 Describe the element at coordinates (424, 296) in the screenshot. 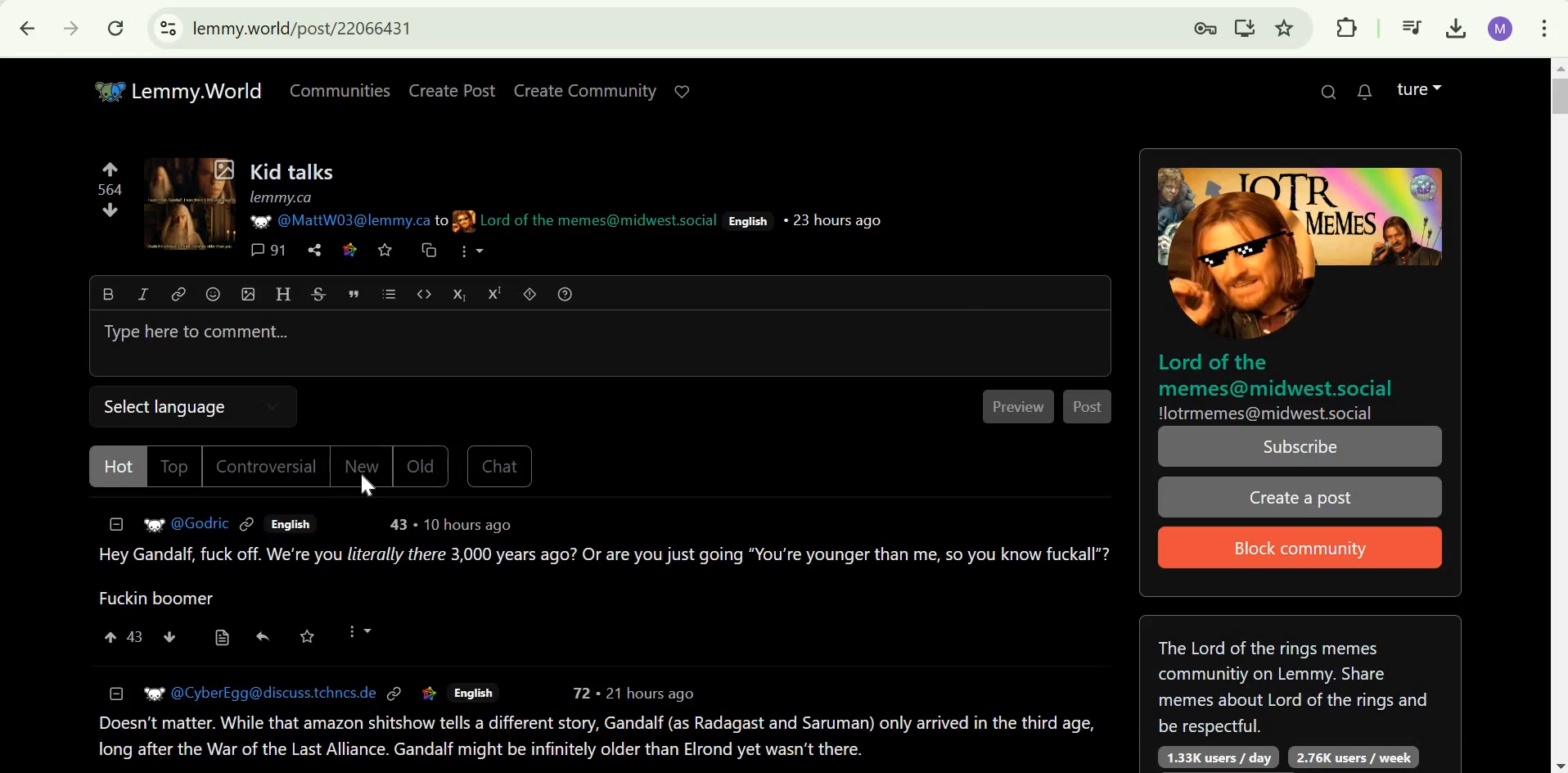

I see `code` at that location.